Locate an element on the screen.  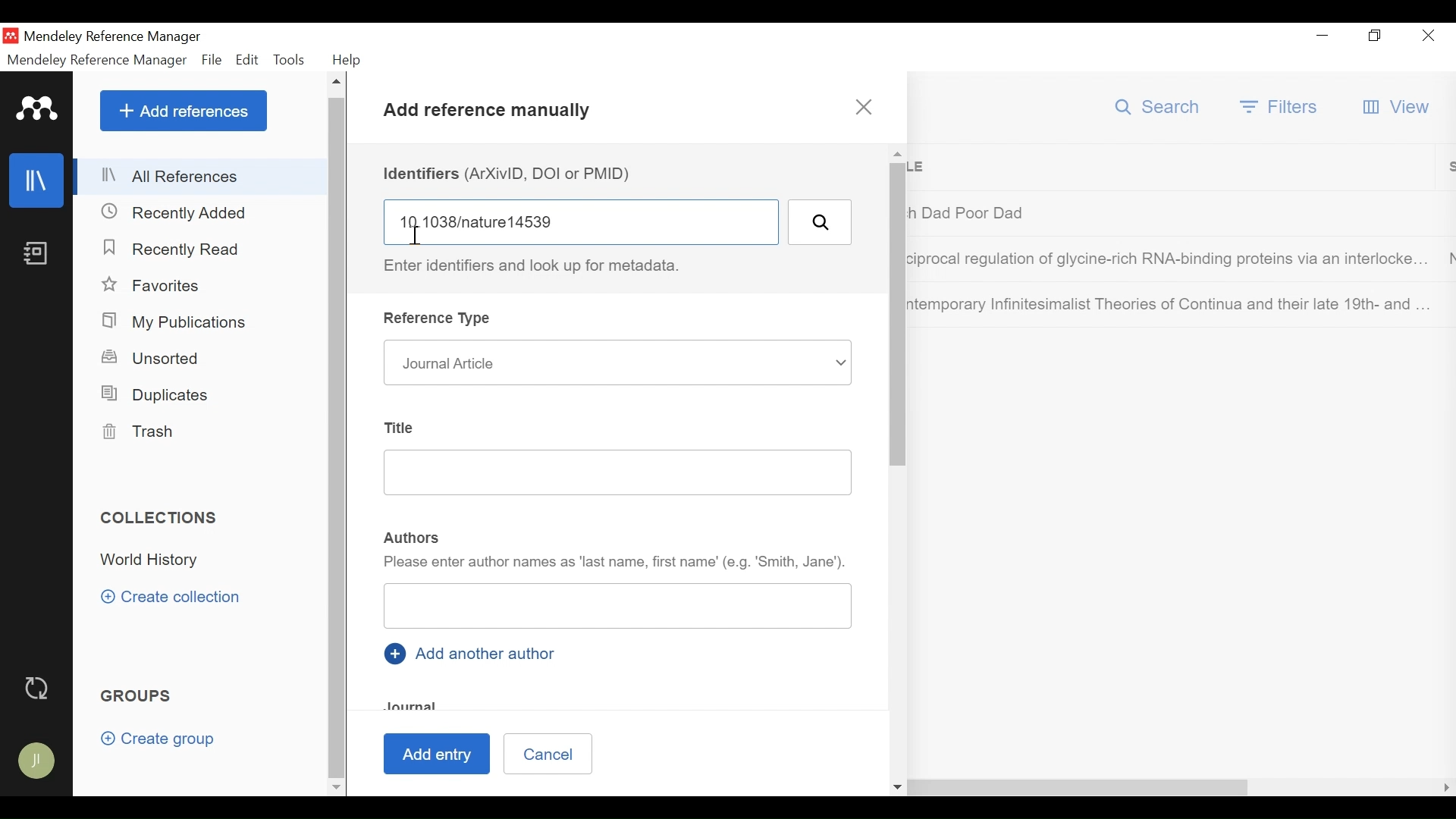
Collections is located at coordinates (161, 518).